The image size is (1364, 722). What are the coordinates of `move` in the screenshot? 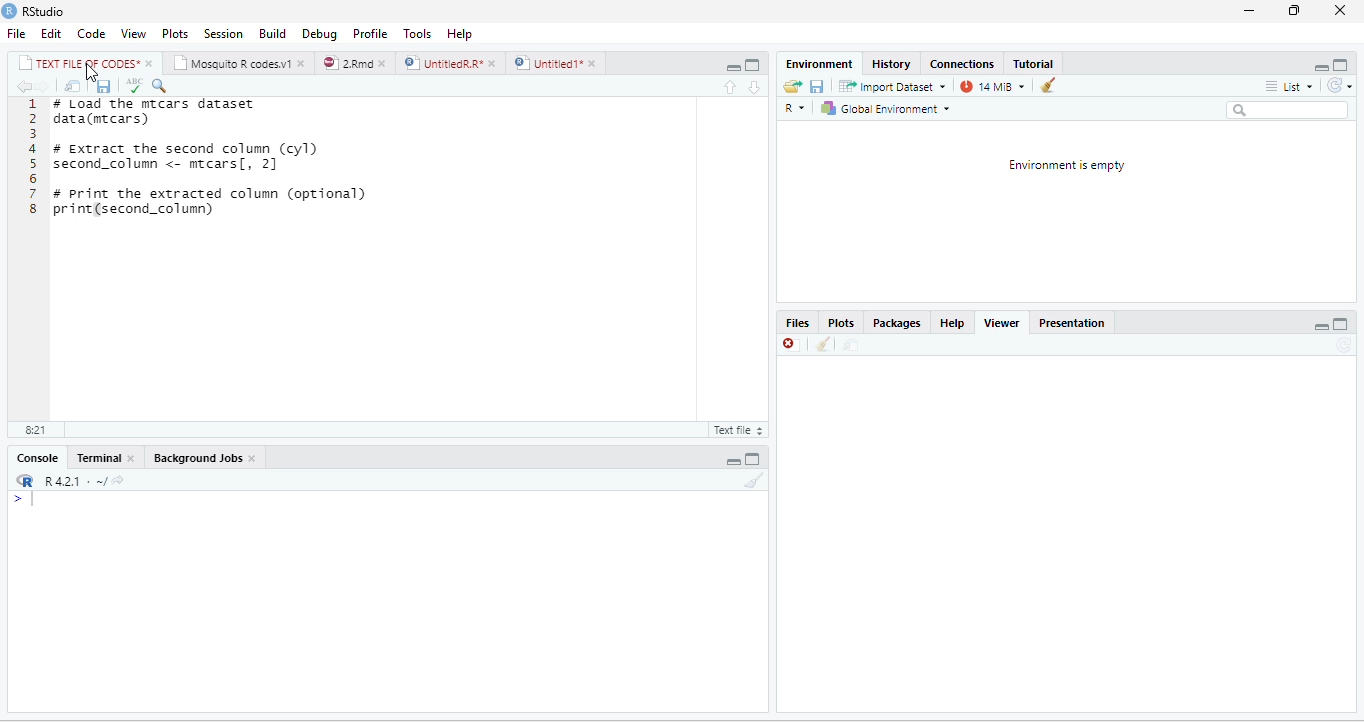 It's located at (73, 86).